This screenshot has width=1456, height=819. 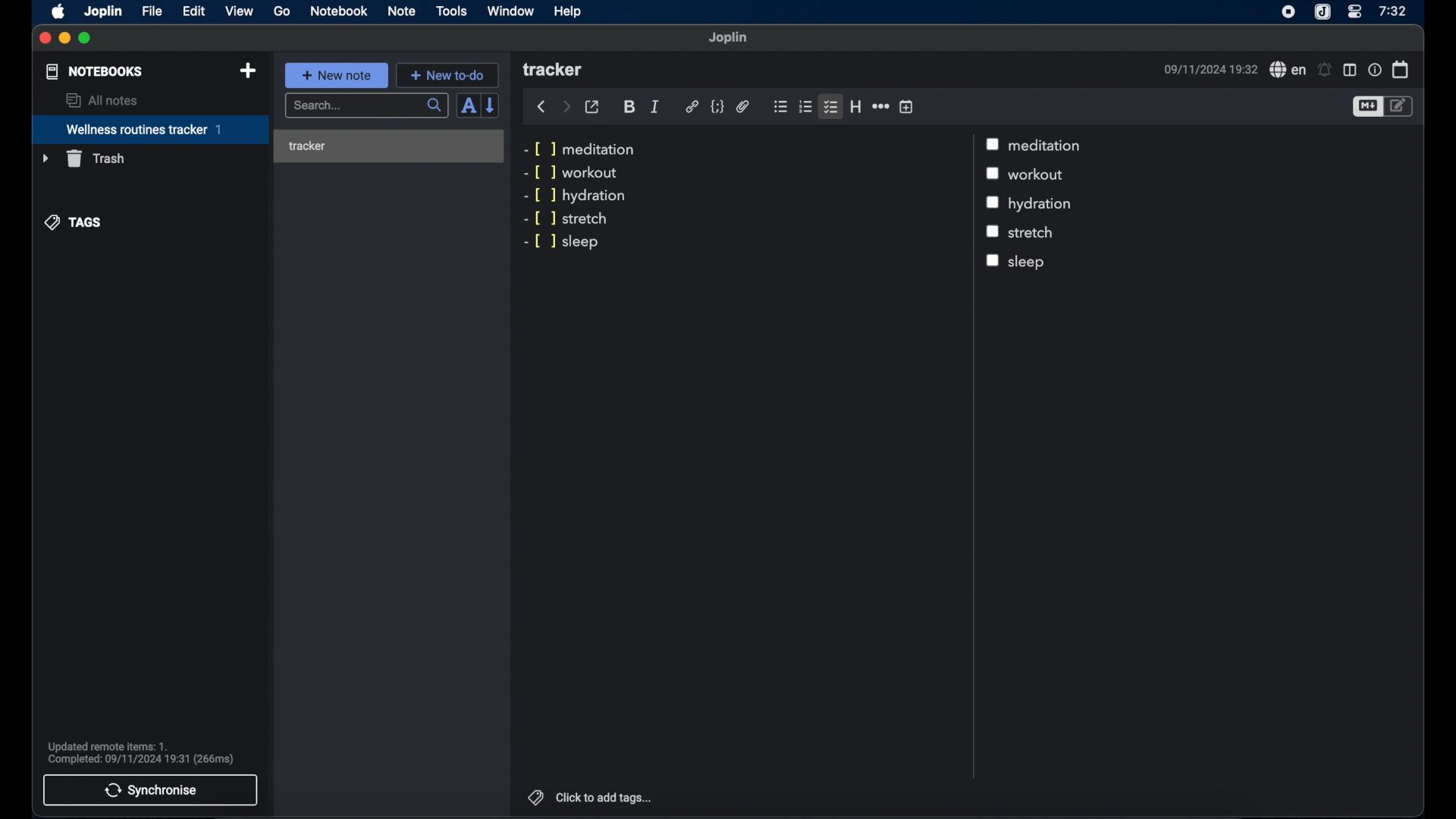 What do you see at coordinates (554, 71) in the screenshot?
I see `tracker` at bounding box center [554, 71].